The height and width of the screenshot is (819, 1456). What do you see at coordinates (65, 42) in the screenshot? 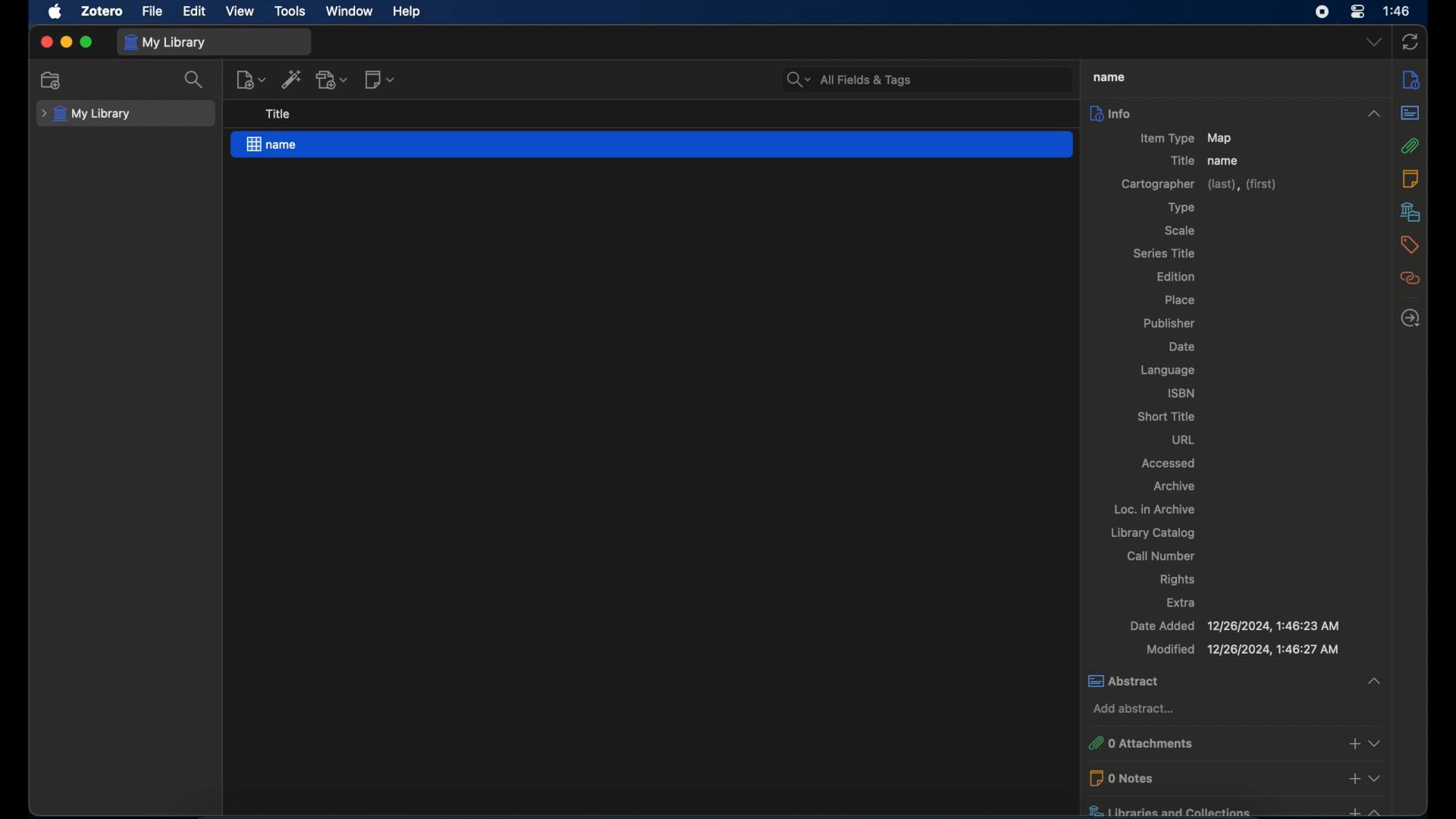
I see `minimize` at bounding box center [65, 42].